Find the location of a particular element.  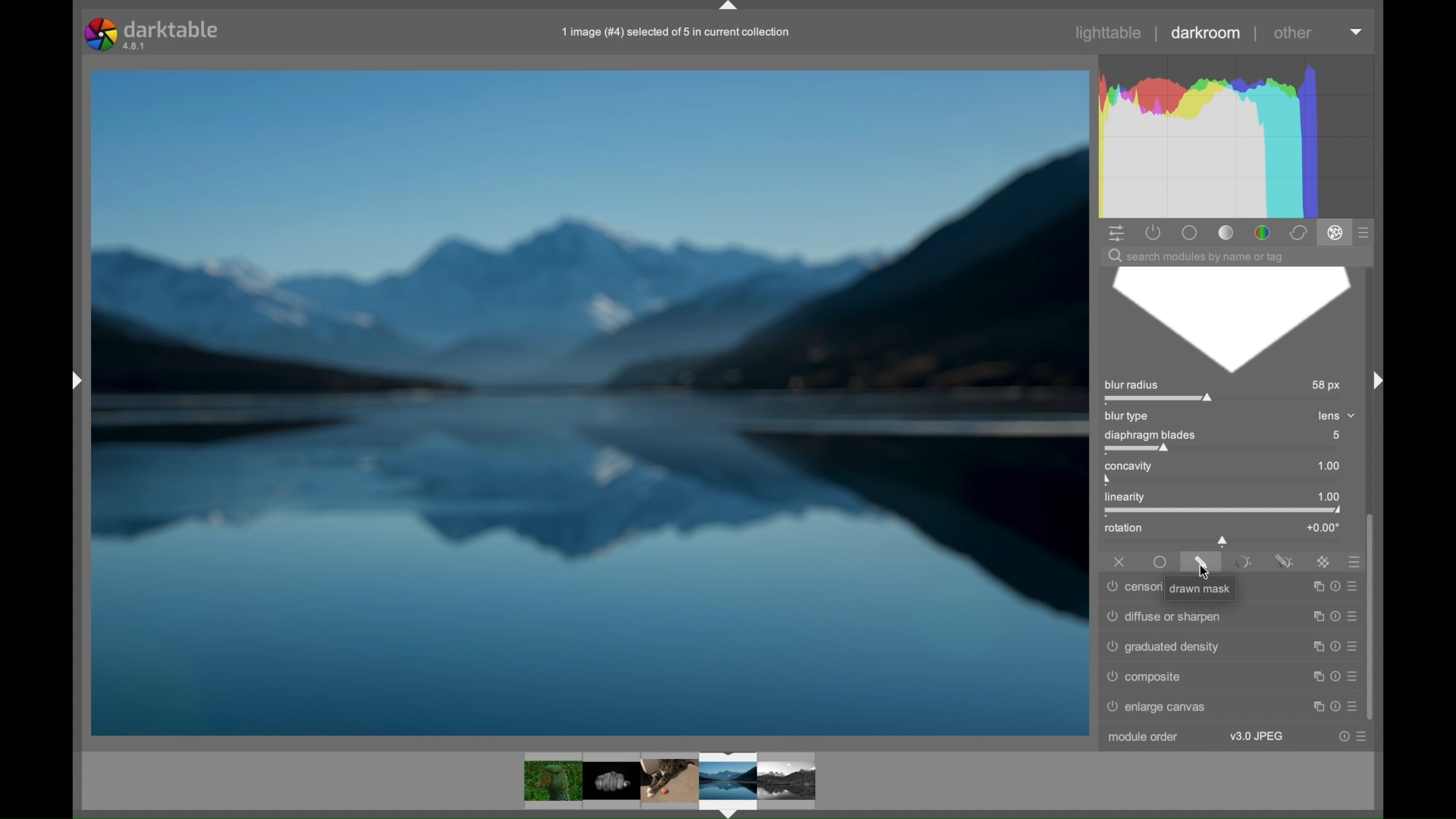

help is located at coordinates (1333, 673).